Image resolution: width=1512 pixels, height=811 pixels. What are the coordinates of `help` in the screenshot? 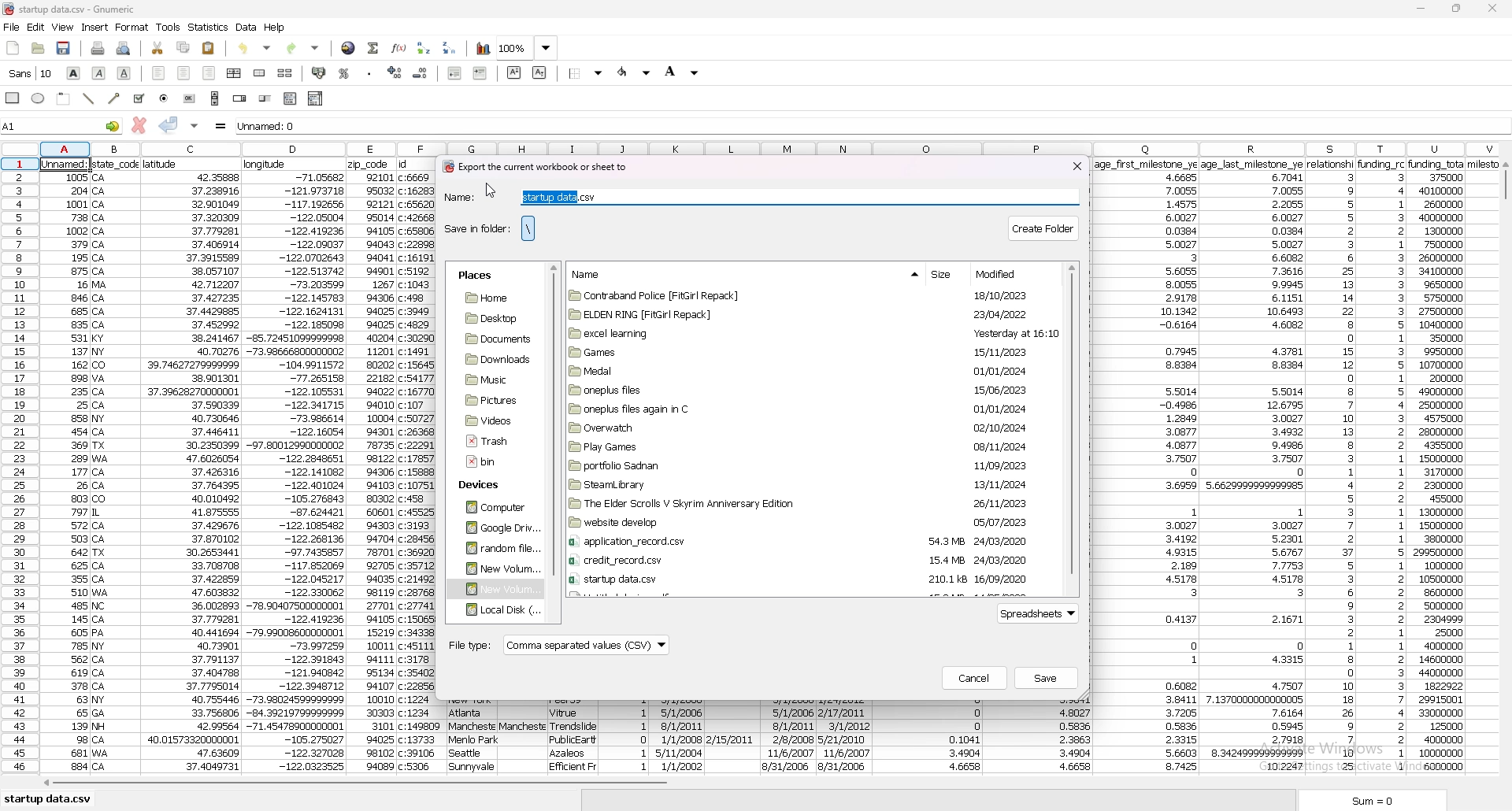 It's located at (275, 28).